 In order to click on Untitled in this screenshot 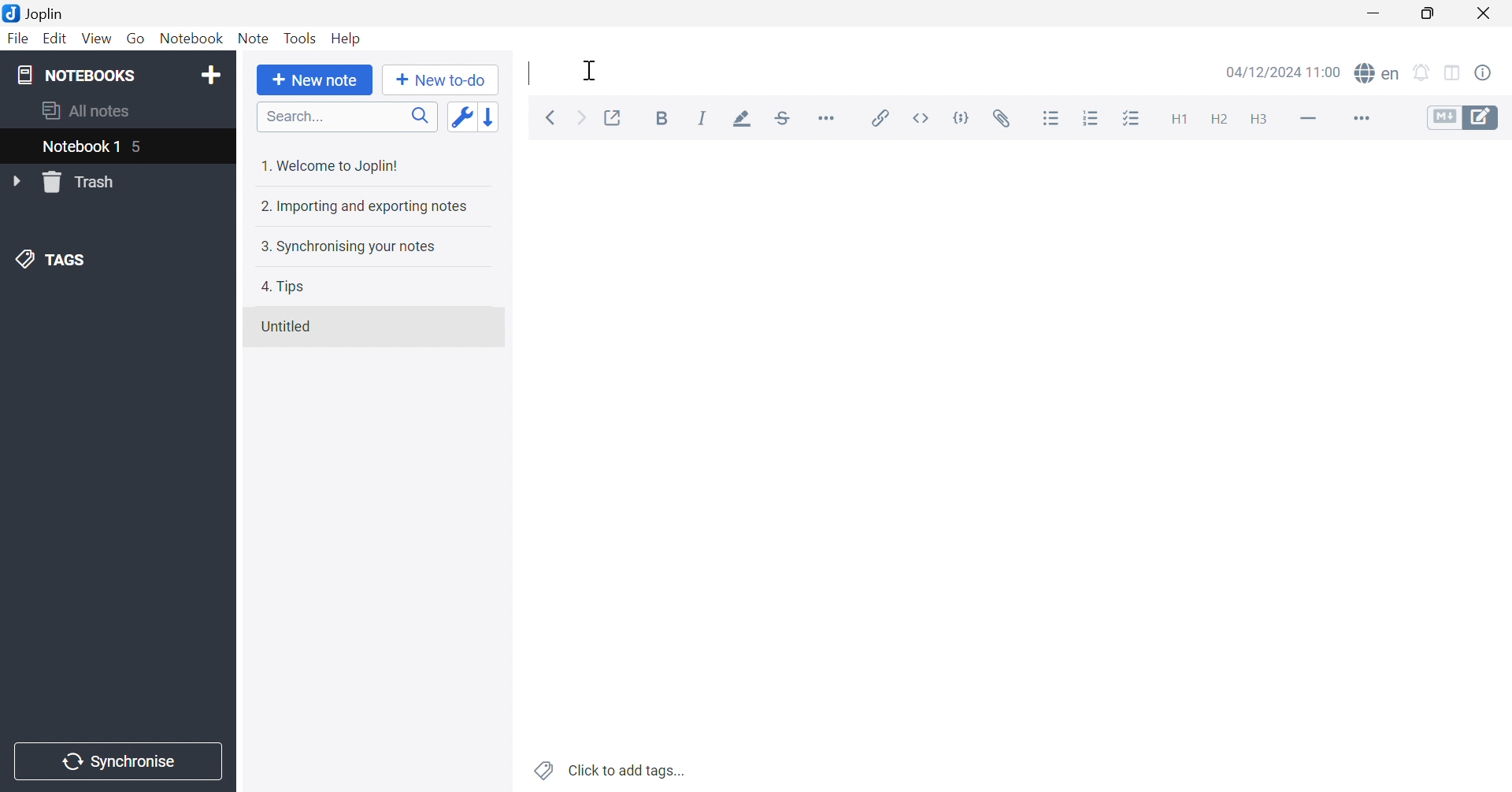, I will do `click(290, 326)`.